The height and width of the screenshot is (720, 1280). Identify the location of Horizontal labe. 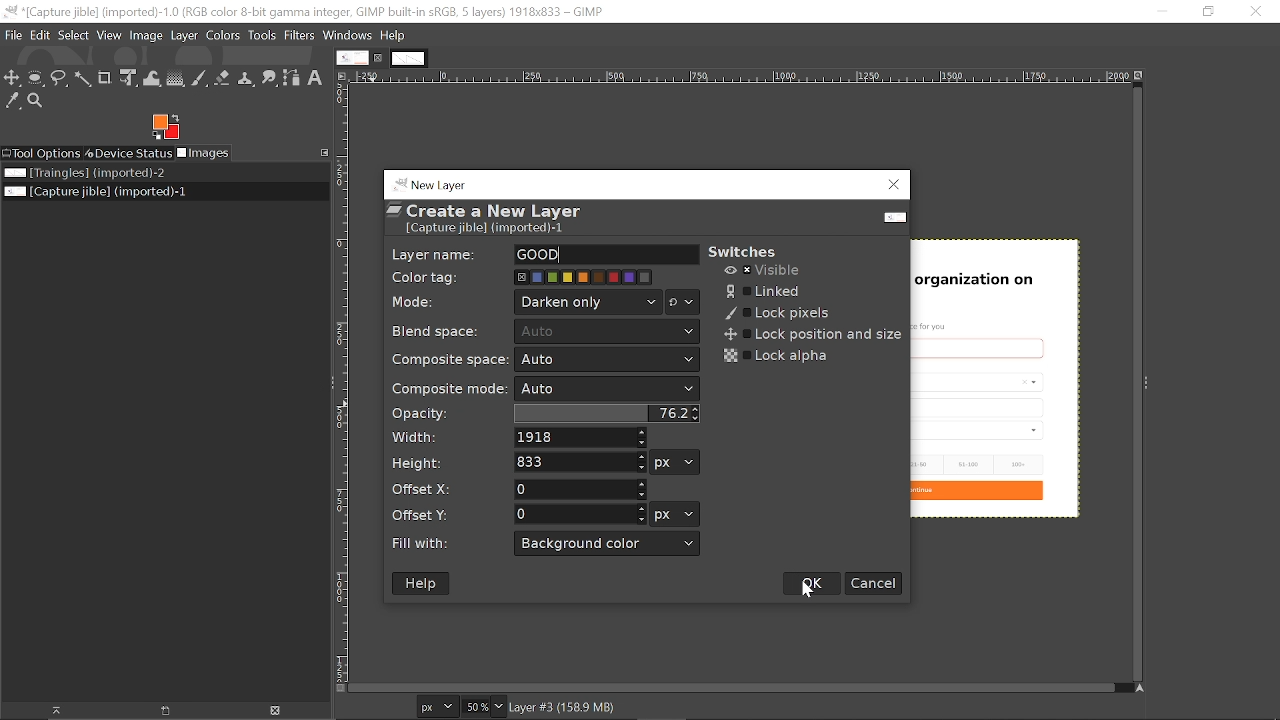
(739, 76).